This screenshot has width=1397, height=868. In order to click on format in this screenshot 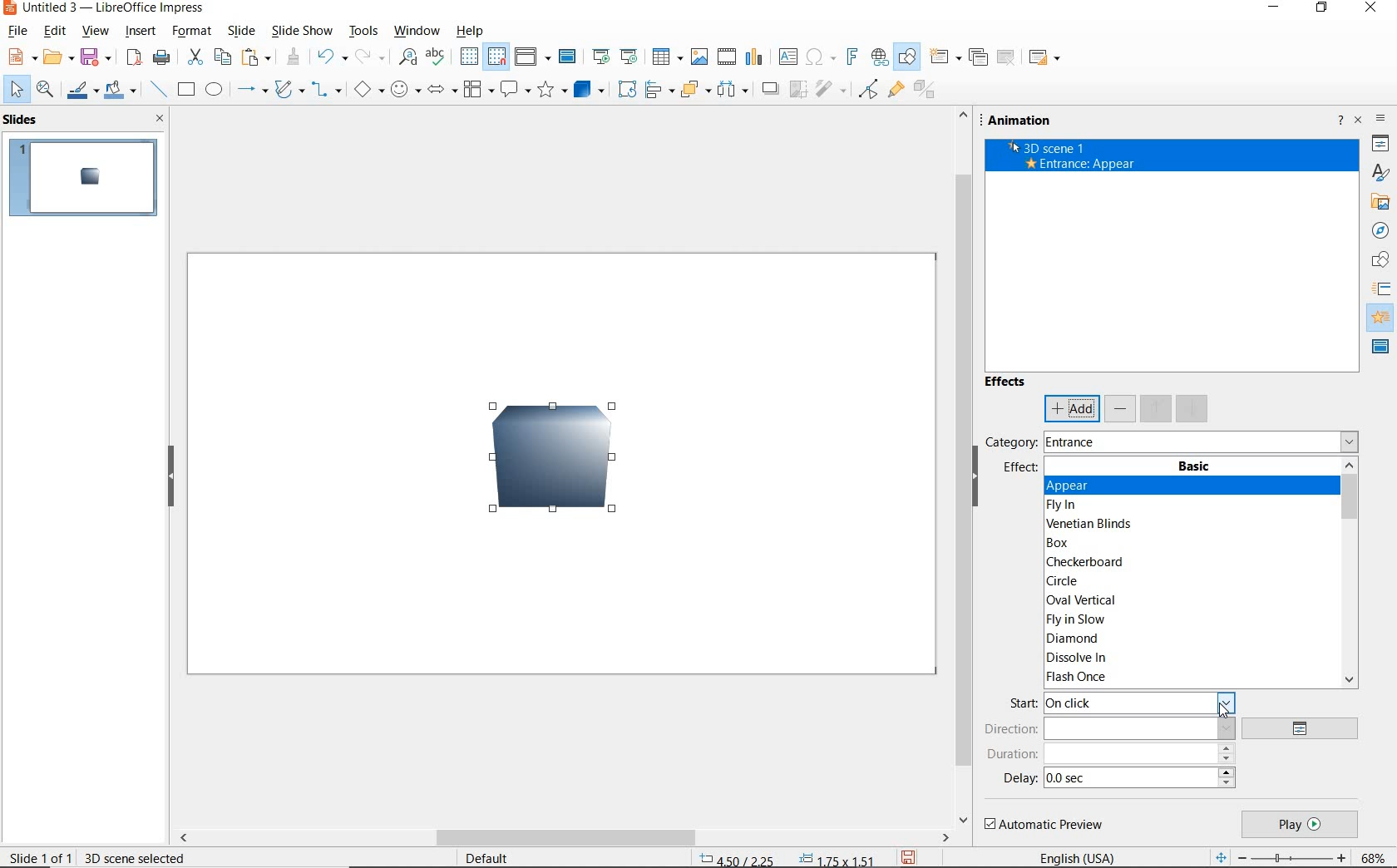, I will do `click(190, 31)`.